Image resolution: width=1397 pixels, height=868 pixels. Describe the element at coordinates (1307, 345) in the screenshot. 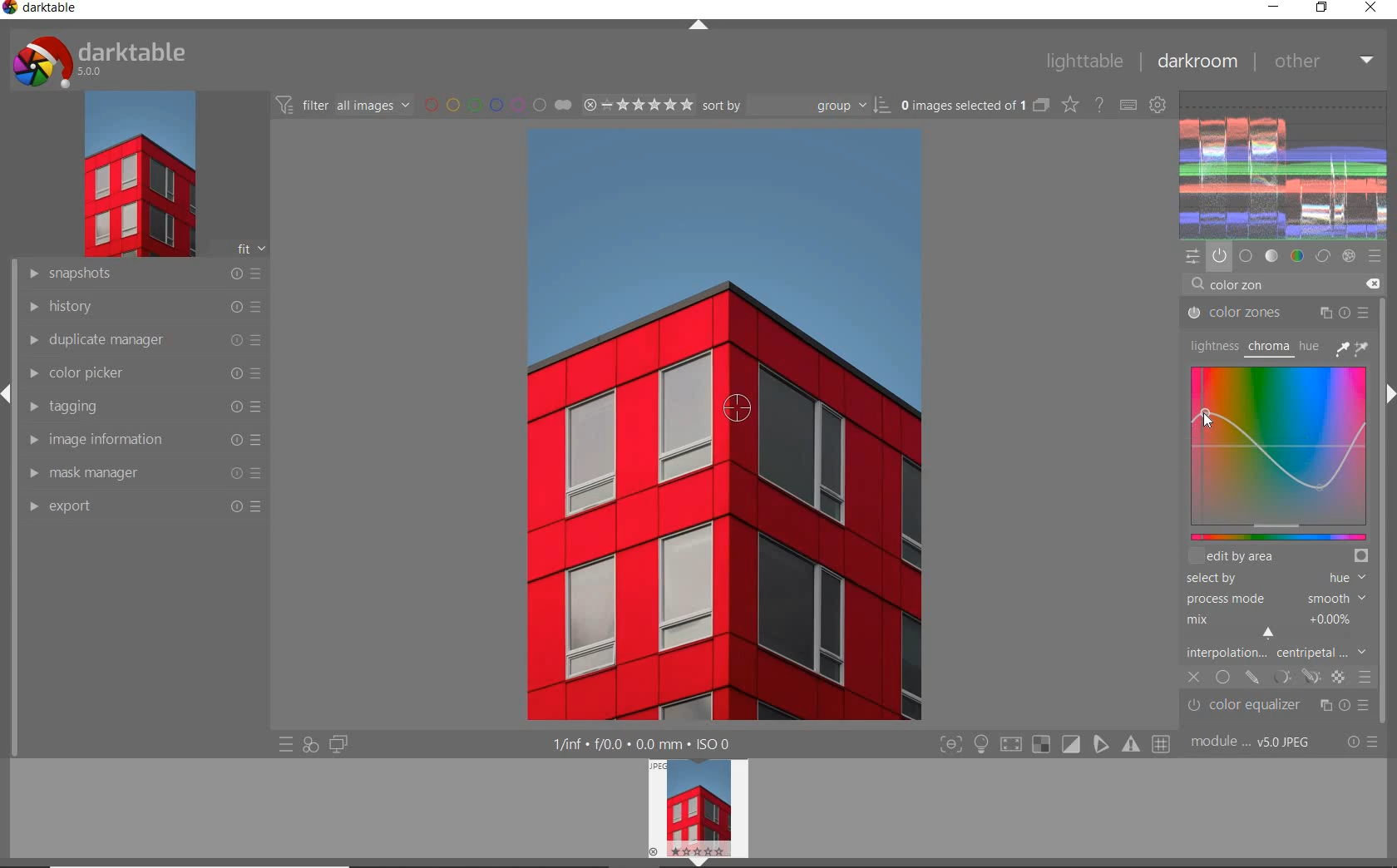

I see `HUE` at that location.